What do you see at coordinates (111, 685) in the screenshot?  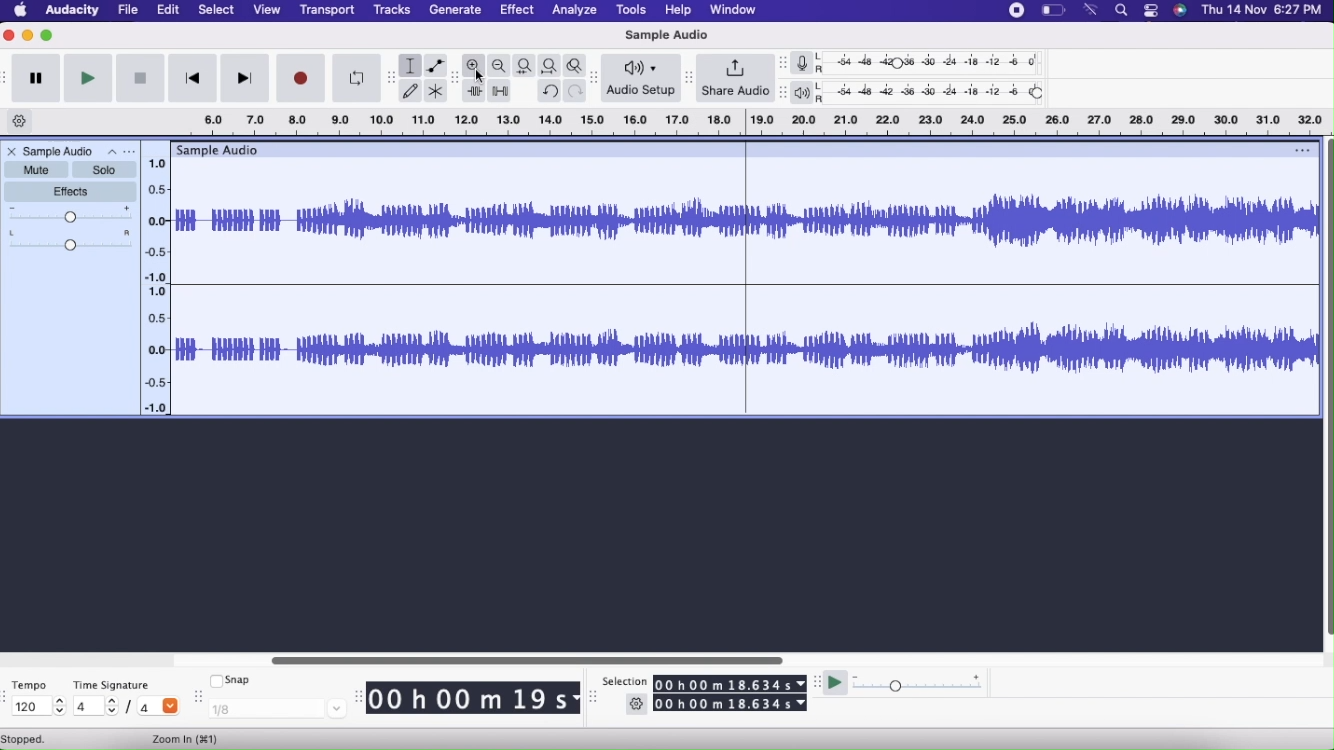 I see `Time Signature` at bounding box center [111, 685].